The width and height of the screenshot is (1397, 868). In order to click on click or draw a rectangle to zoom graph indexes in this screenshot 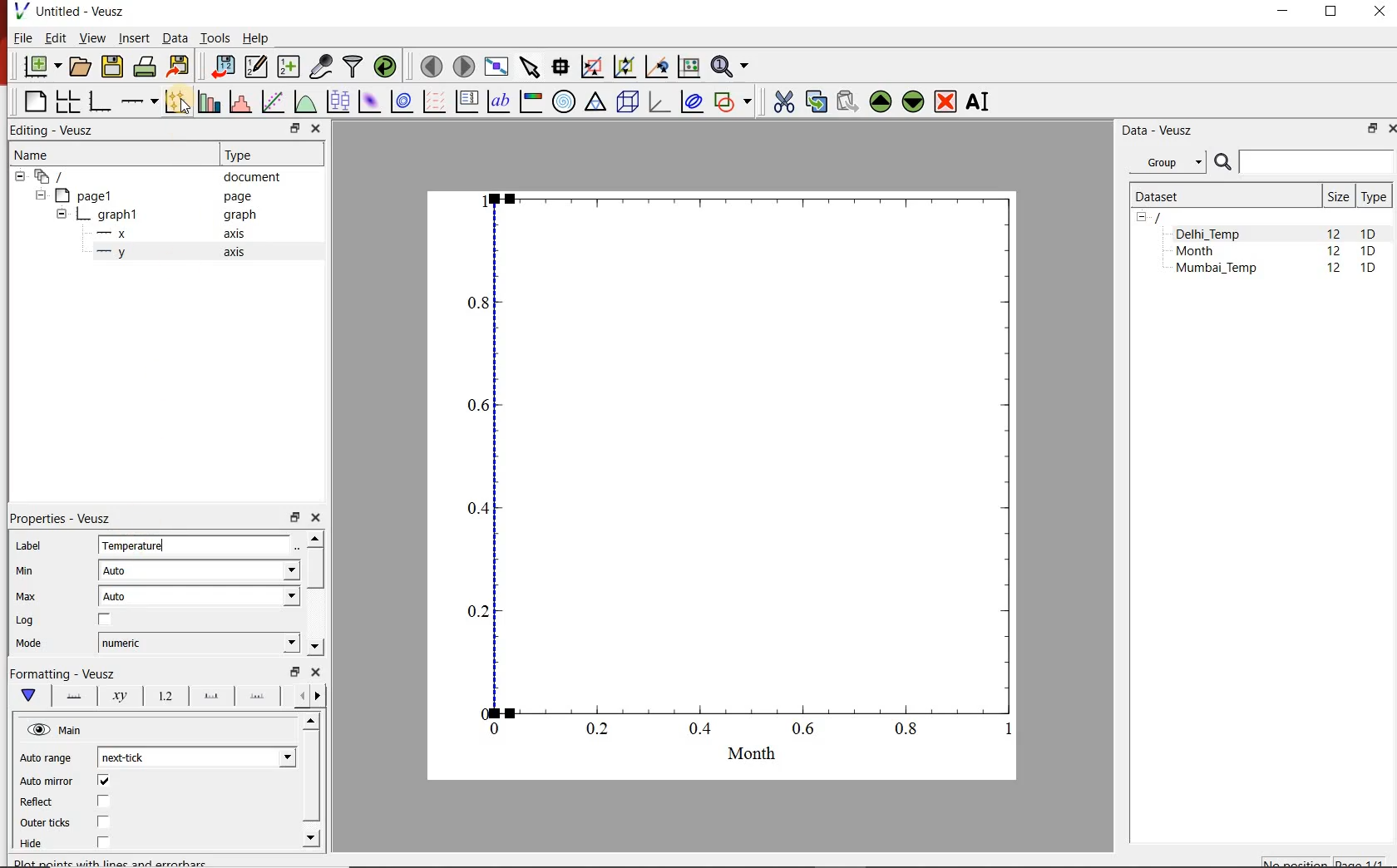, I will do `click(592, 67)`.